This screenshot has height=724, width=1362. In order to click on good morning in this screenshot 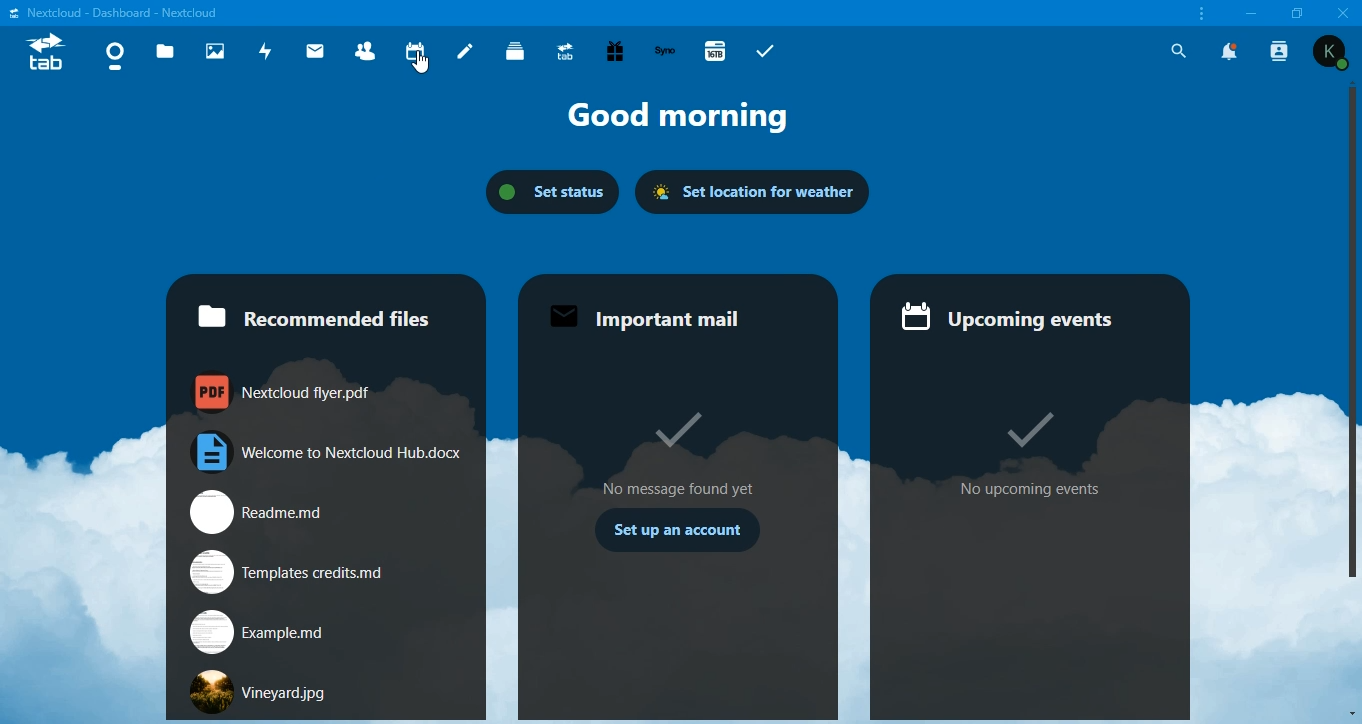, I will do `click(670, 117)`.